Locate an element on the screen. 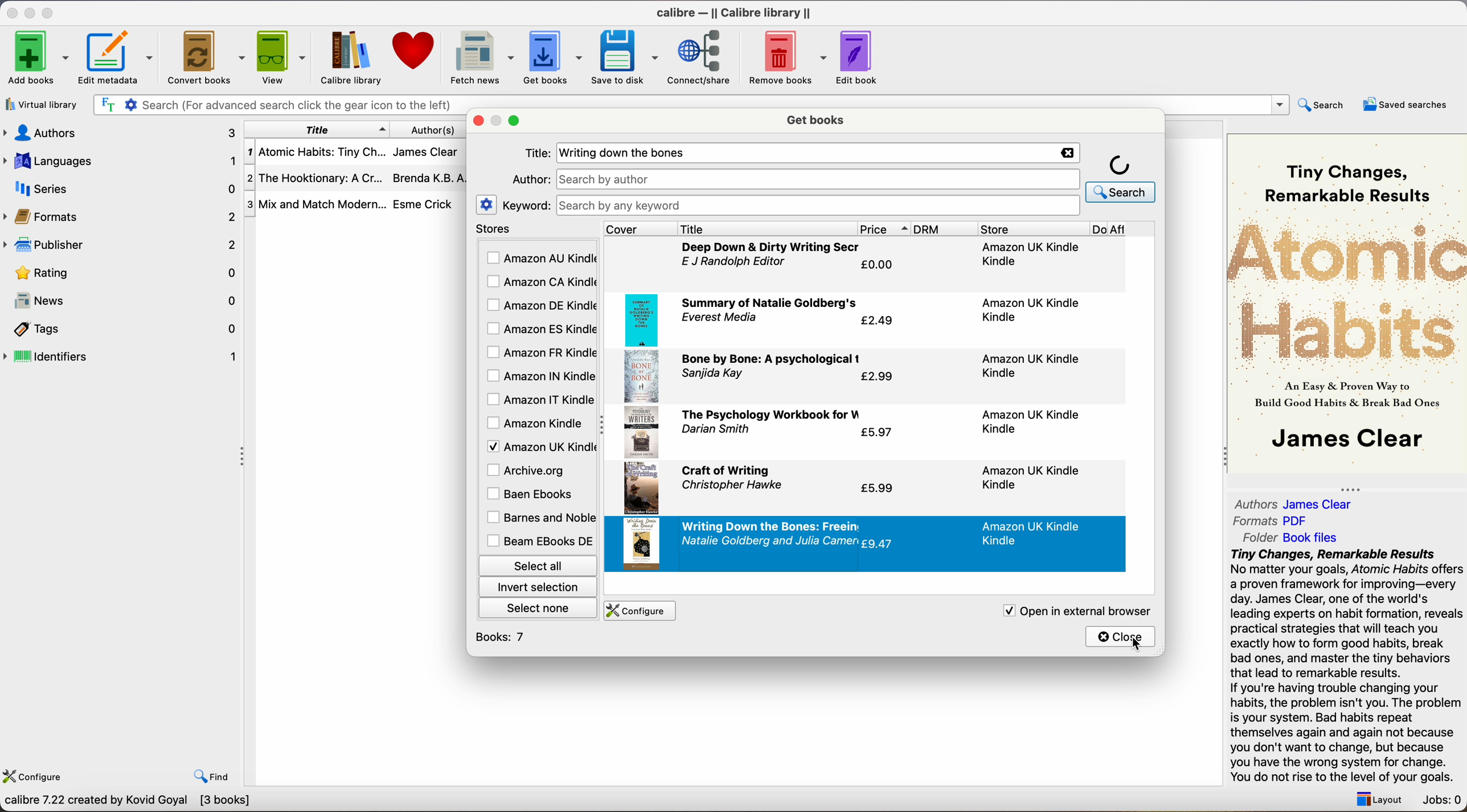  Esme Crick is located at coordinates (423, 204).